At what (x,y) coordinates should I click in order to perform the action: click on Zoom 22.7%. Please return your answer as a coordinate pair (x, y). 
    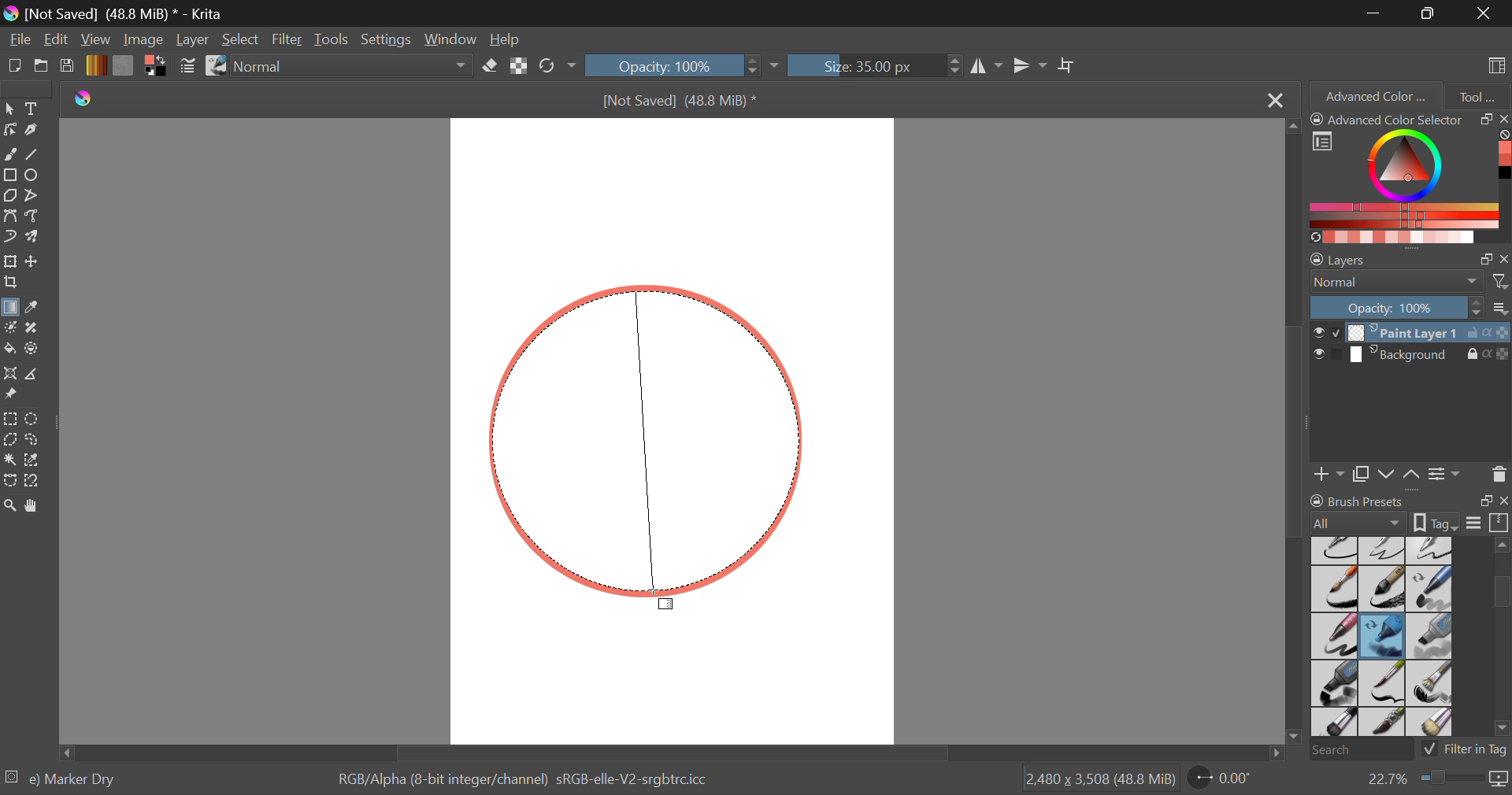
    Looking at the image, I should click on (1431, 779).